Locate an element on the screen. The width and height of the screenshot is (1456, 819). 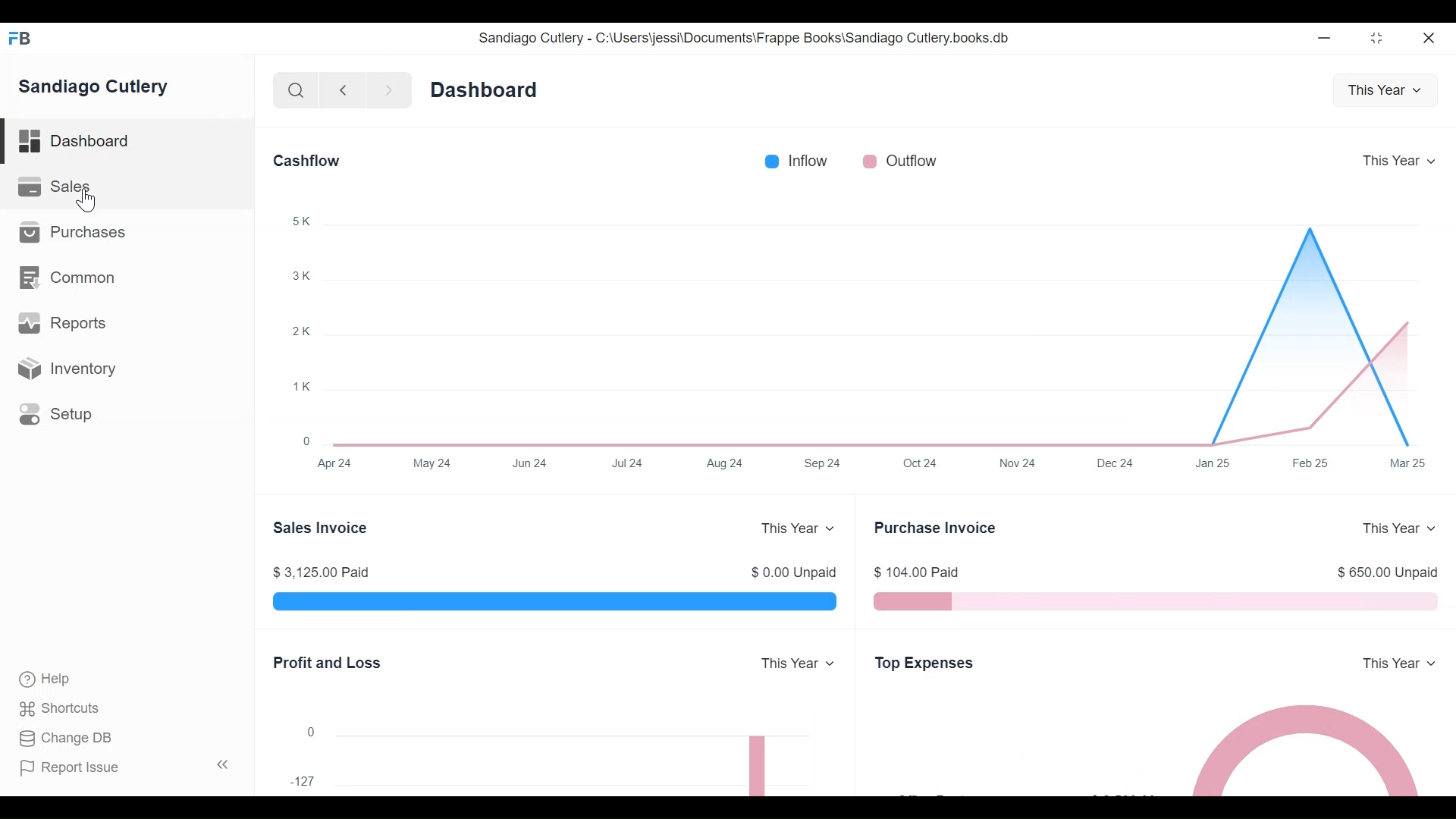
Profit and loss is located at coordinates (329, 663).